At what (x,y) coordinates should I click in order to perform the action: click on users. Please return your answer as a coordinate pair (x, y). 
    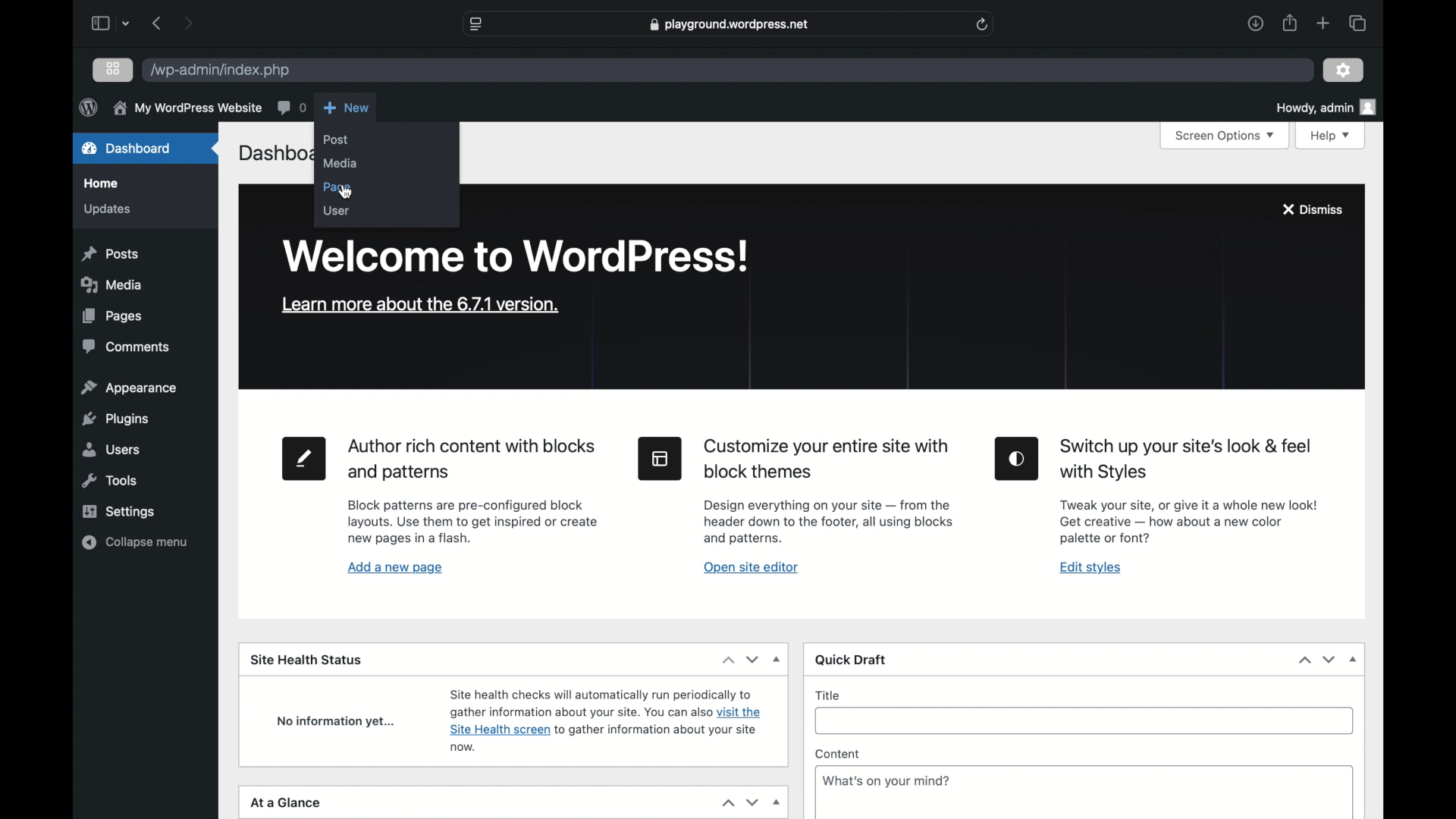
    Looking at the image, I should click on (112, 450).